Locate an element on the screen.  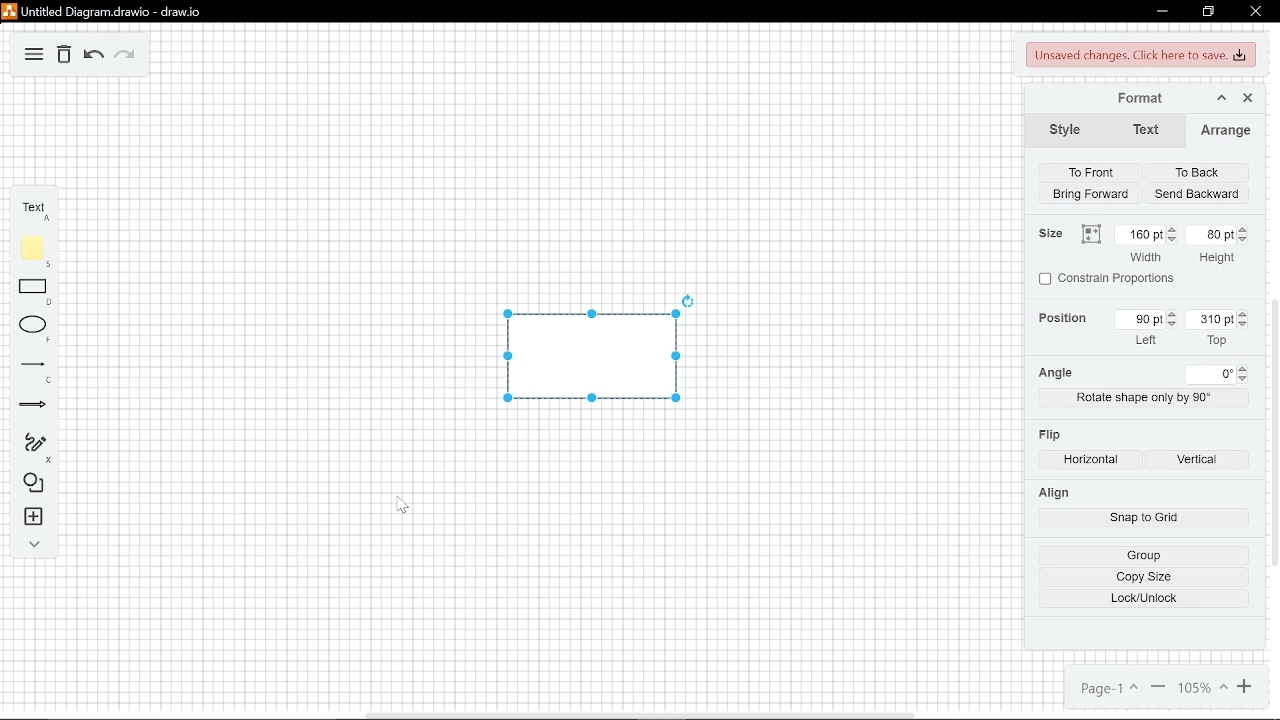
current width is located at coordinates (1138, 234).